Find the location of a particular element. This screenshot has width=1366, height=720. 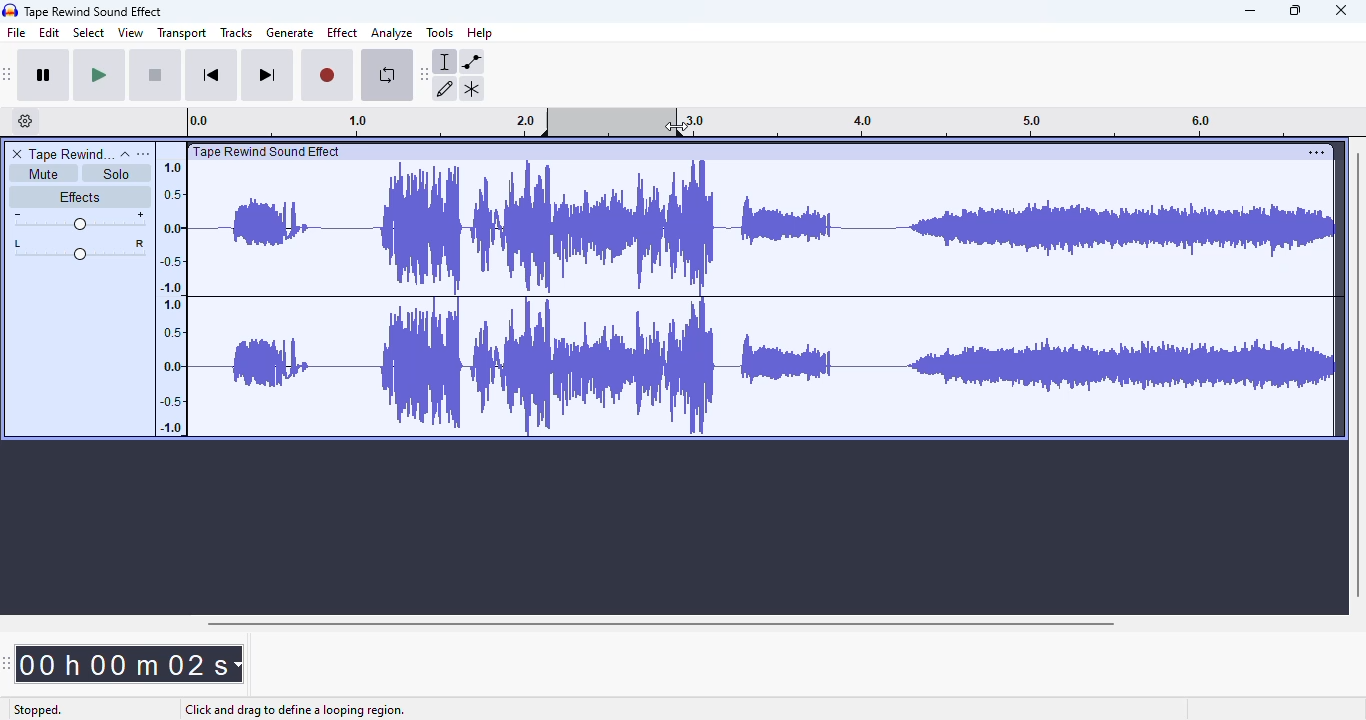

1.0 0.5 0.0 -0.5 -1.0 1.0 0.5 0.0 -0.5 -1.0 is located at coordinates (172, 291).